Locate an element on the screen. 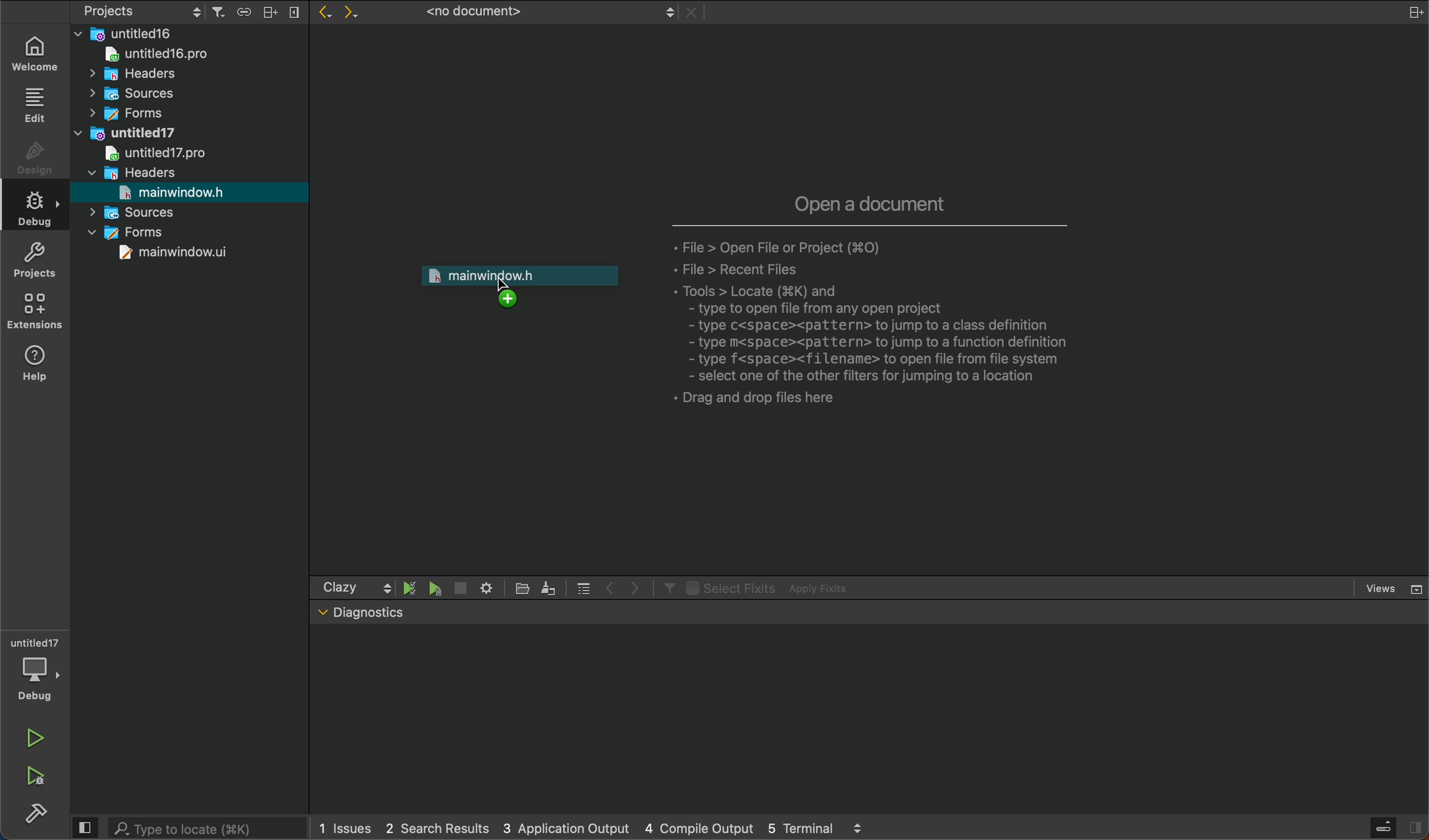 The height and width of the screenshot is (840, 1429). Next is located at coordinates (356, 14).